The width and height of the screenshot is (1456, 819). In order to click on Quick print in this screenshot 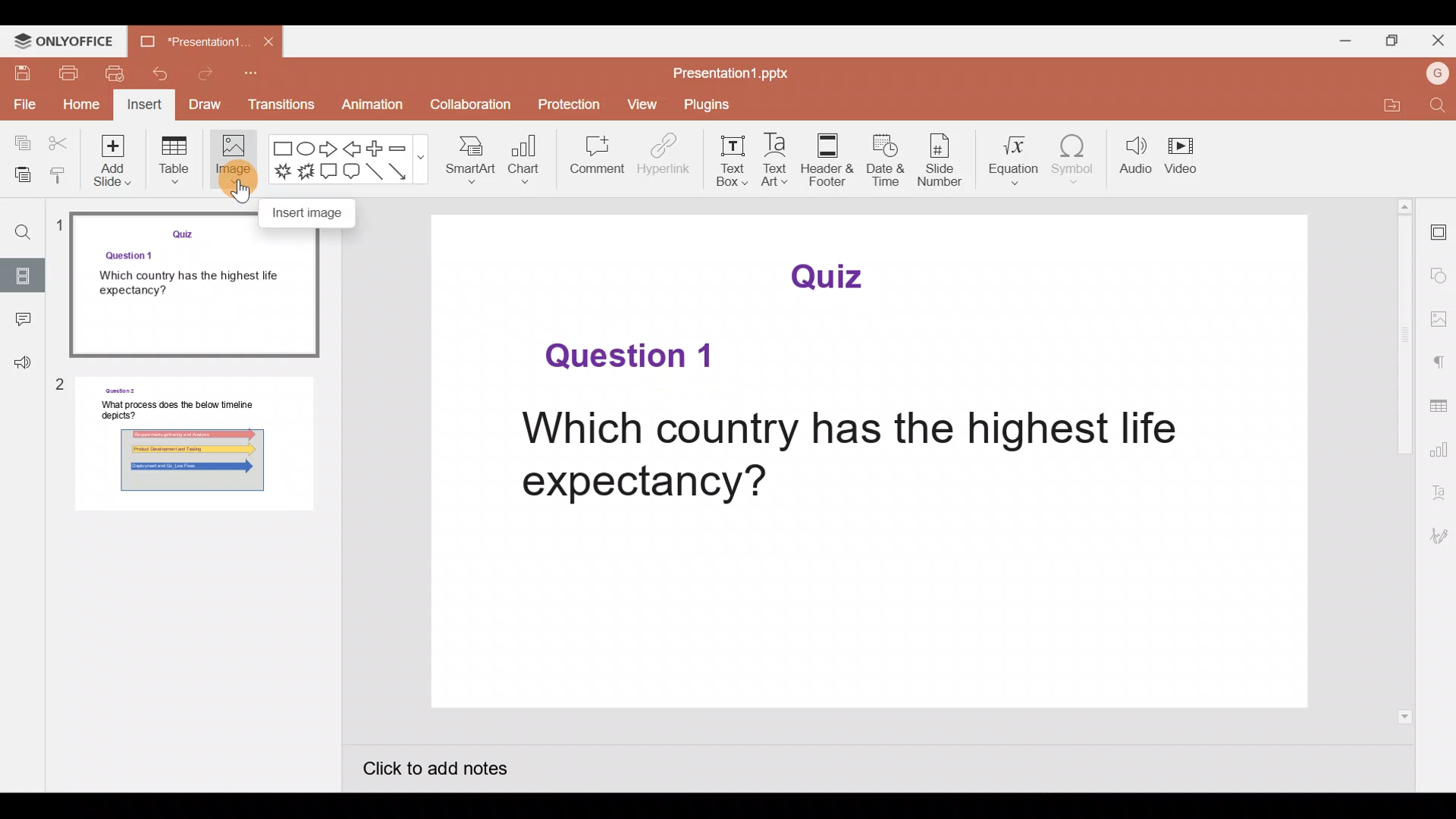, I will do `click(118, 74)`.